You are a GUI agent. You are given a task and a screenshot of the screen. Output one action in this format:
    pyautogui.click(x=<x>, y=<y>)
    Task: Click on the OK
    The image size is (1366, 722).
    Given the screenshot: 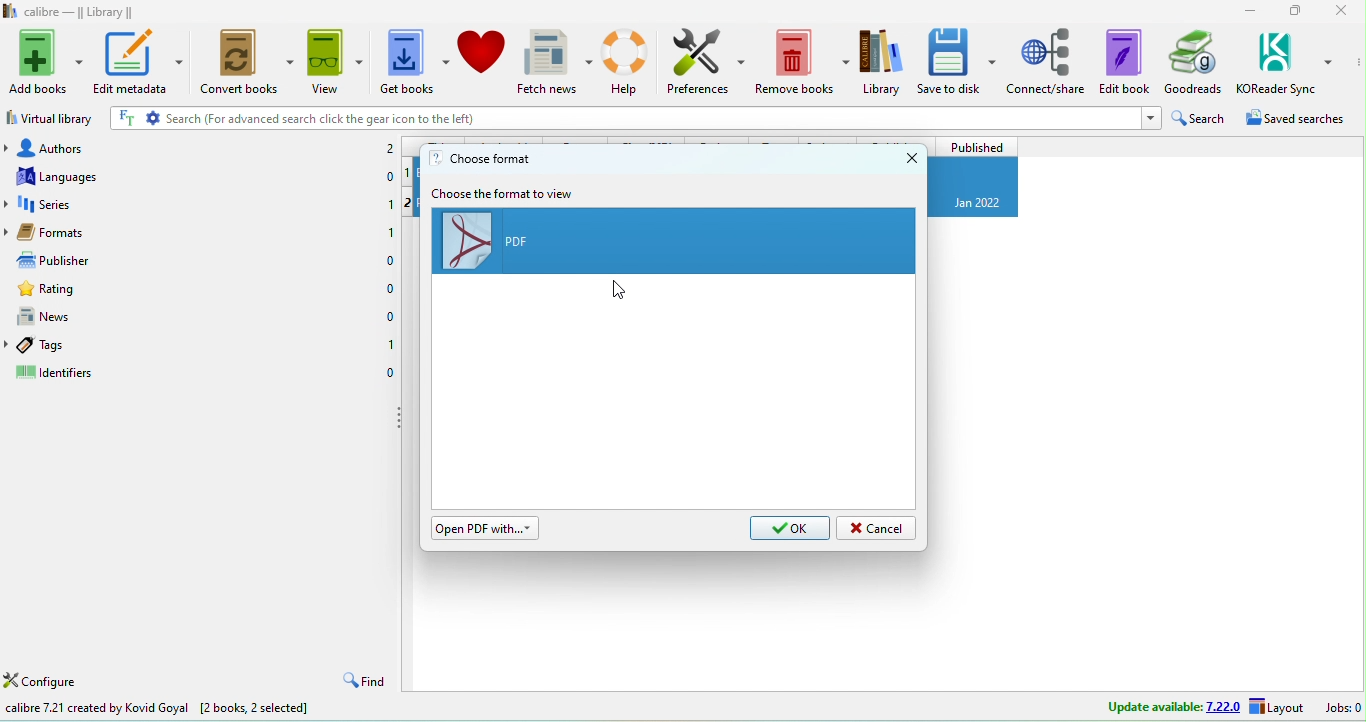 What is the action you would take?
    pyautogui.click(x=790, y=529)
    